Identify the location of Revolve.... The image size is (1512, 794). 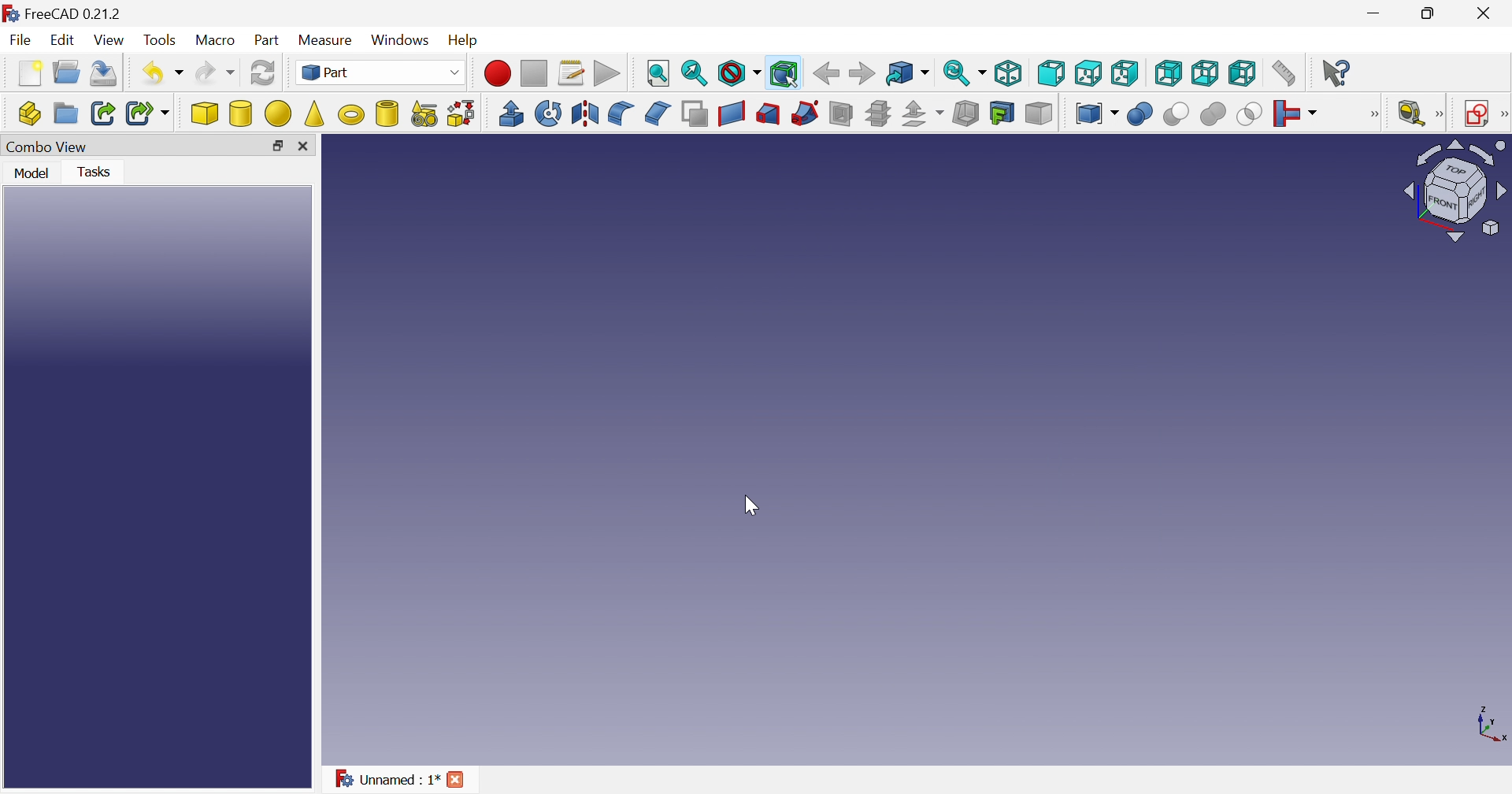
(548, 113).